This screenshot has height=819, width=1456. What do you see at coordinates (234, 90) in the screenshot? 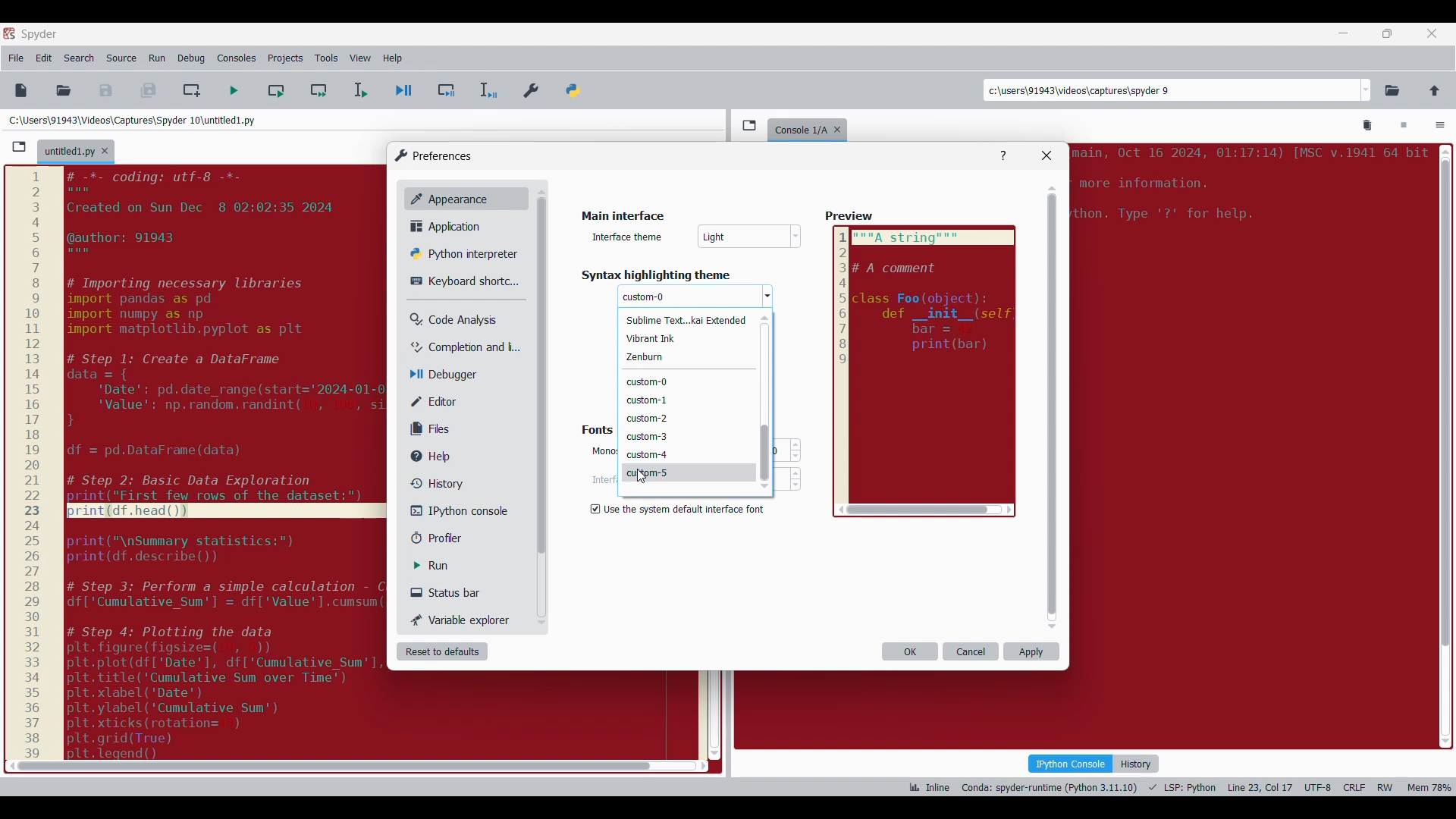
I see `Run file` at bounding box center [234, 90].